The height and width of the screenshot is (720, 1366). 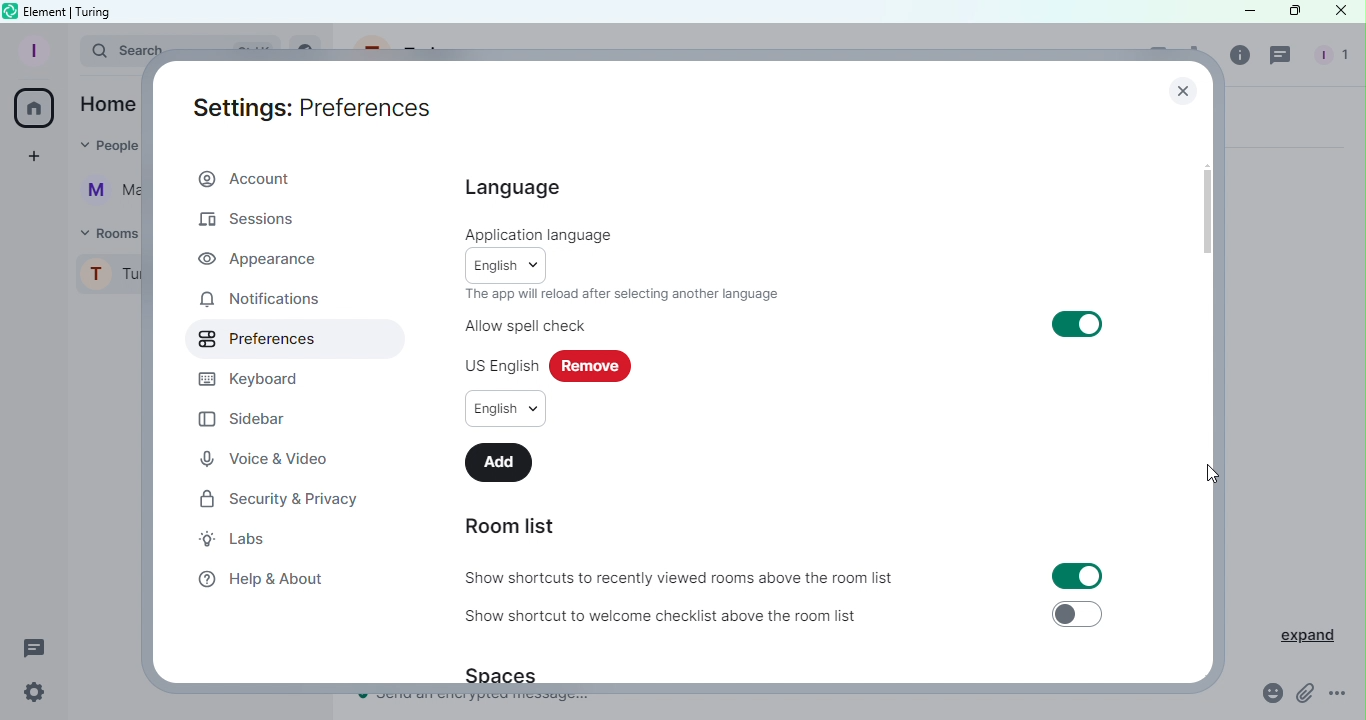 I want to click on Close, so click(x=1340, y=14).